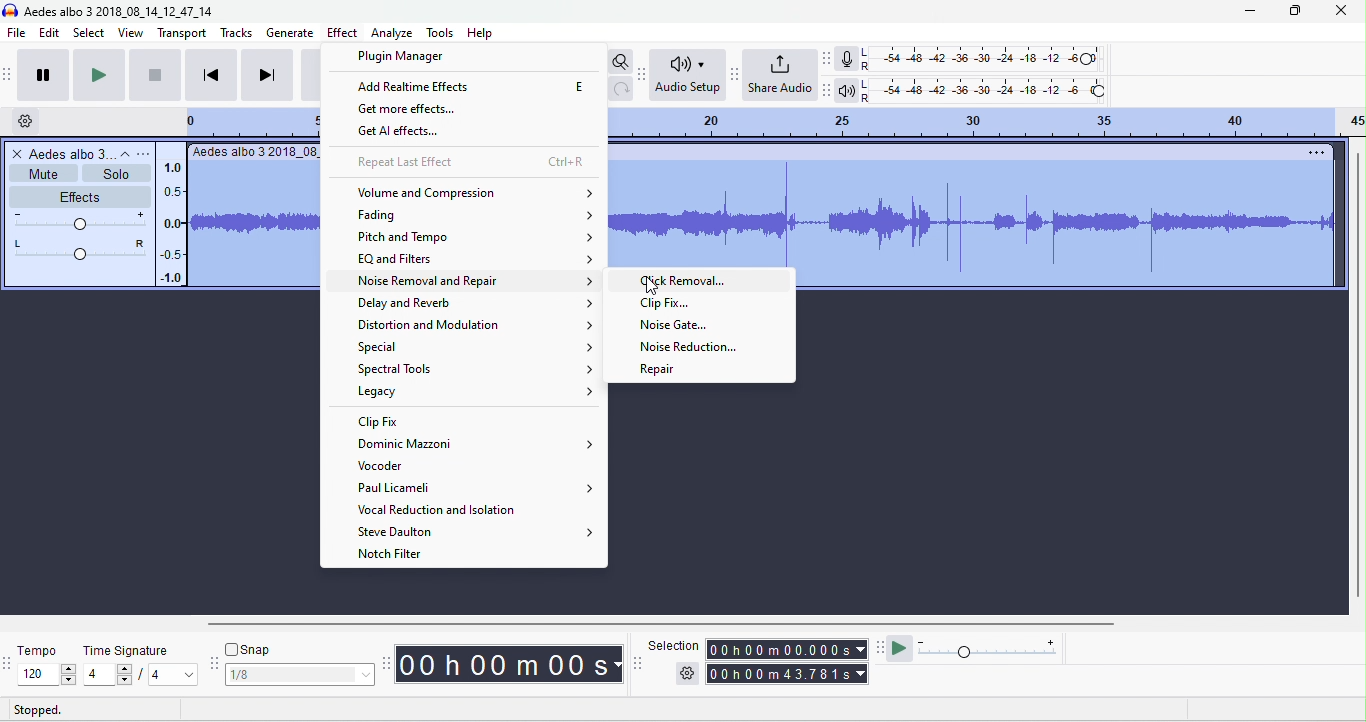 The image size is (1366, 722). What do you see at coordinates (848, 91) in the screenshot?
I see `playback meter` at bounding box center [848, 91].